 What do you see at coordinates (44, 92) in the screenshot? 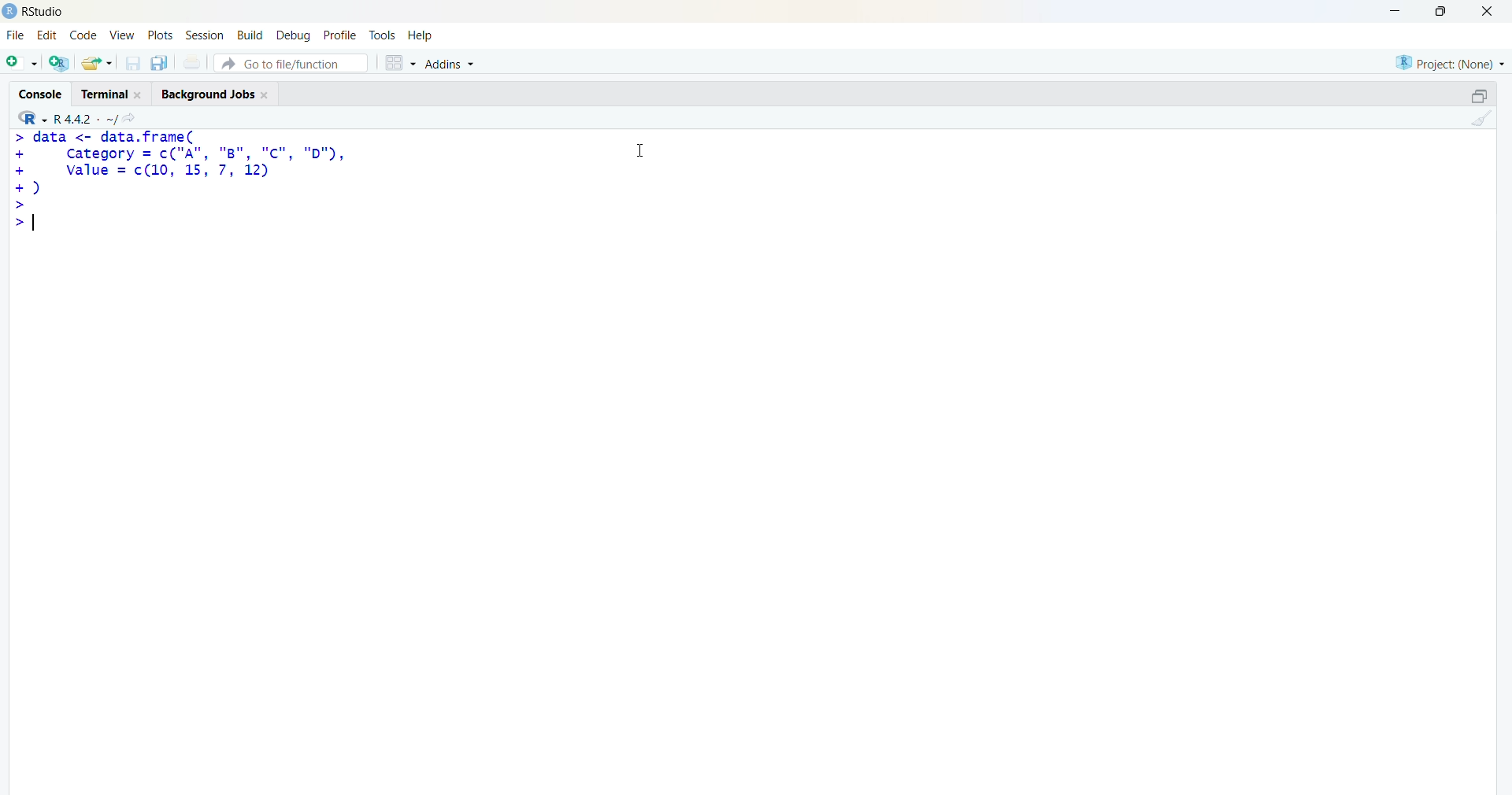
I see `Console` at bounding box center [44, 92].